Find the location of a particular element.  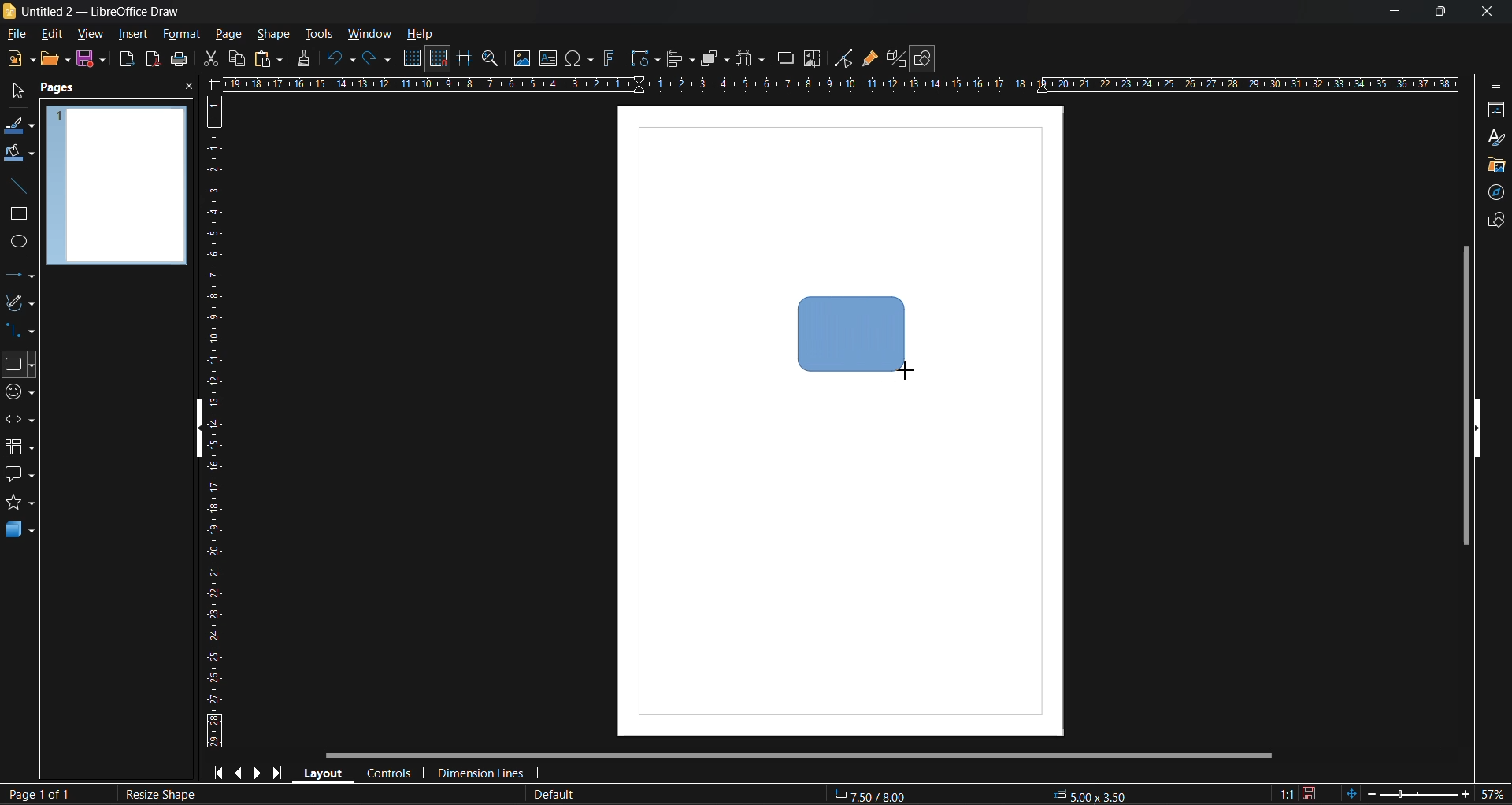

insert line is located at coordinates (24, 188).